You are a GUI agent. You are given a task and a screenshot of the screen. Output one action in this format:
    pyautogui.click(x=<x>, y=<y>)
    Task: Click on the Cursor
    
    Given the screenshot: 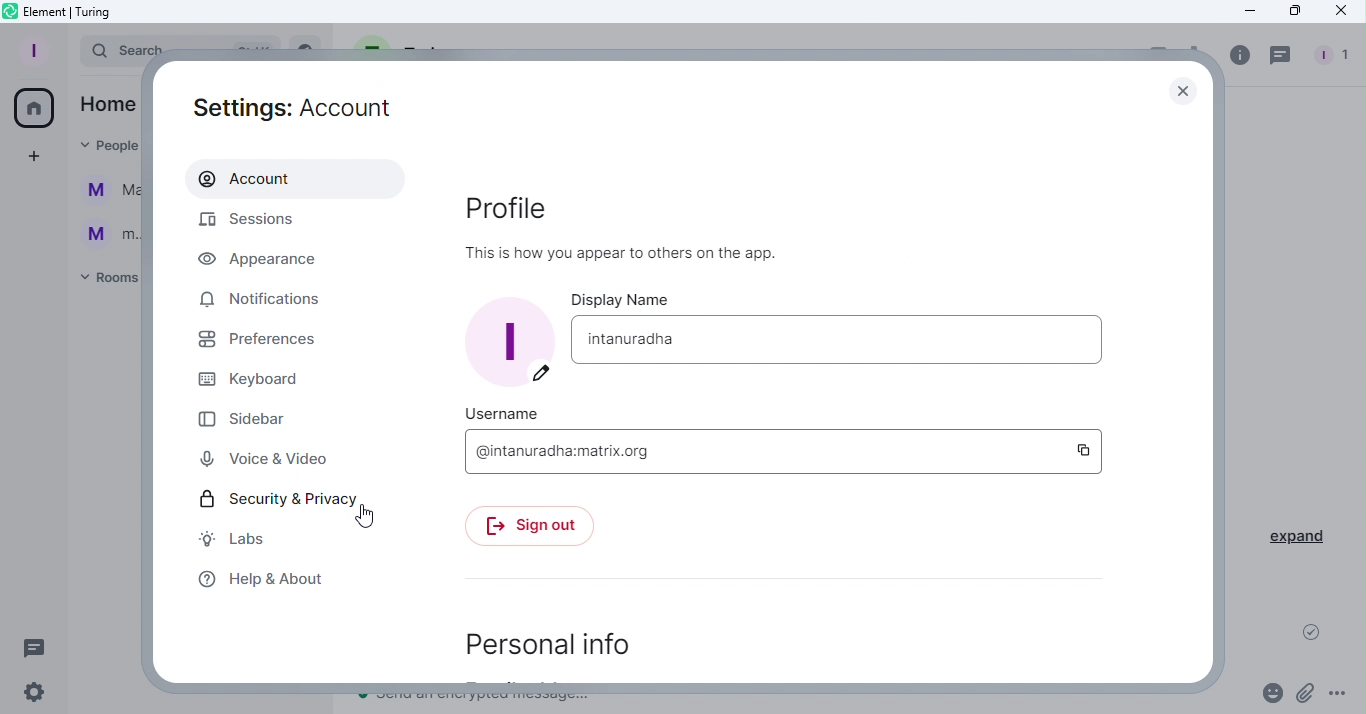 What is the action you would take?
    pyautogui.click(x=365, y=519)
    